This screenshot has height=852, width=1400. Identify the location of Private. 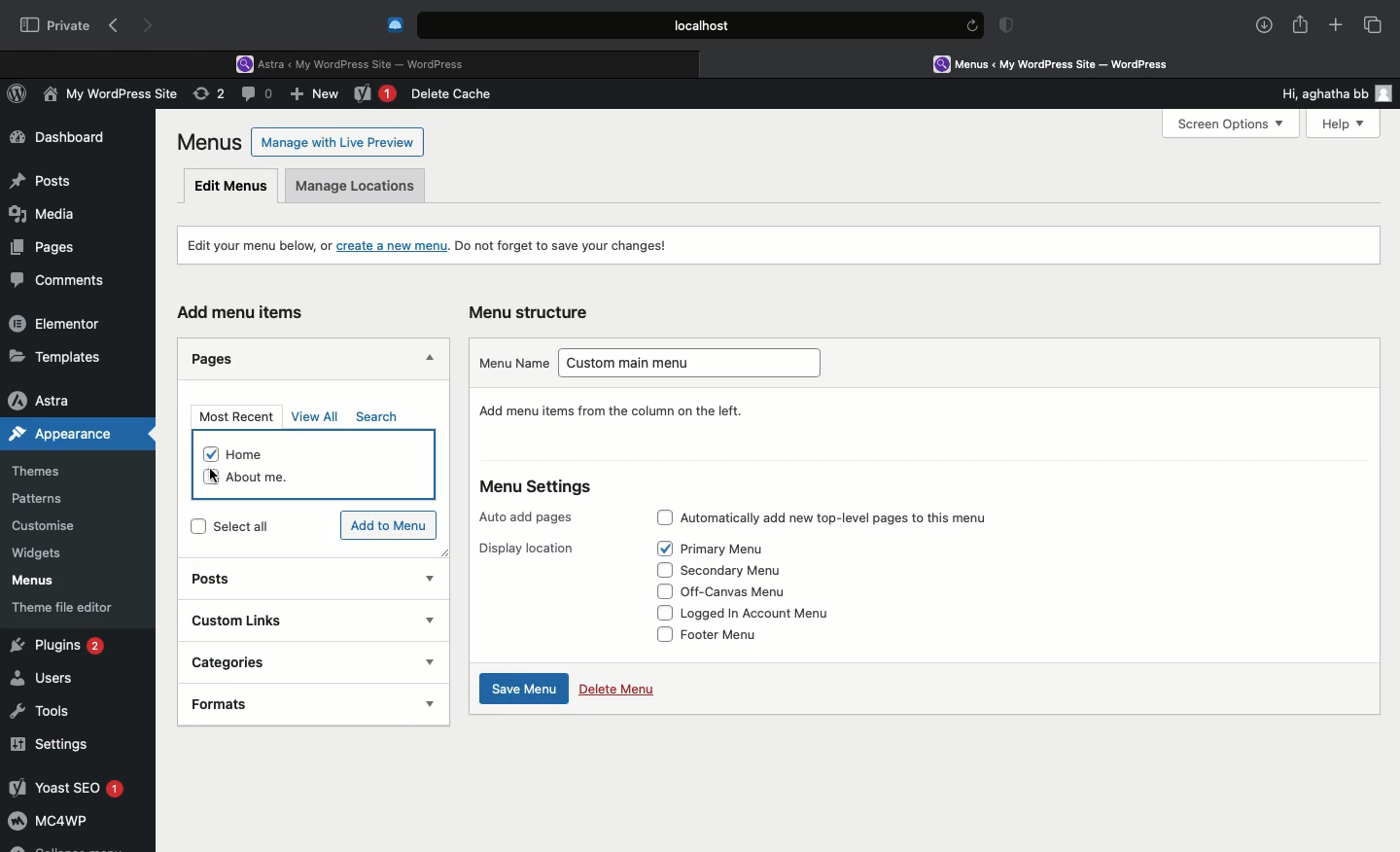
(55, 24).